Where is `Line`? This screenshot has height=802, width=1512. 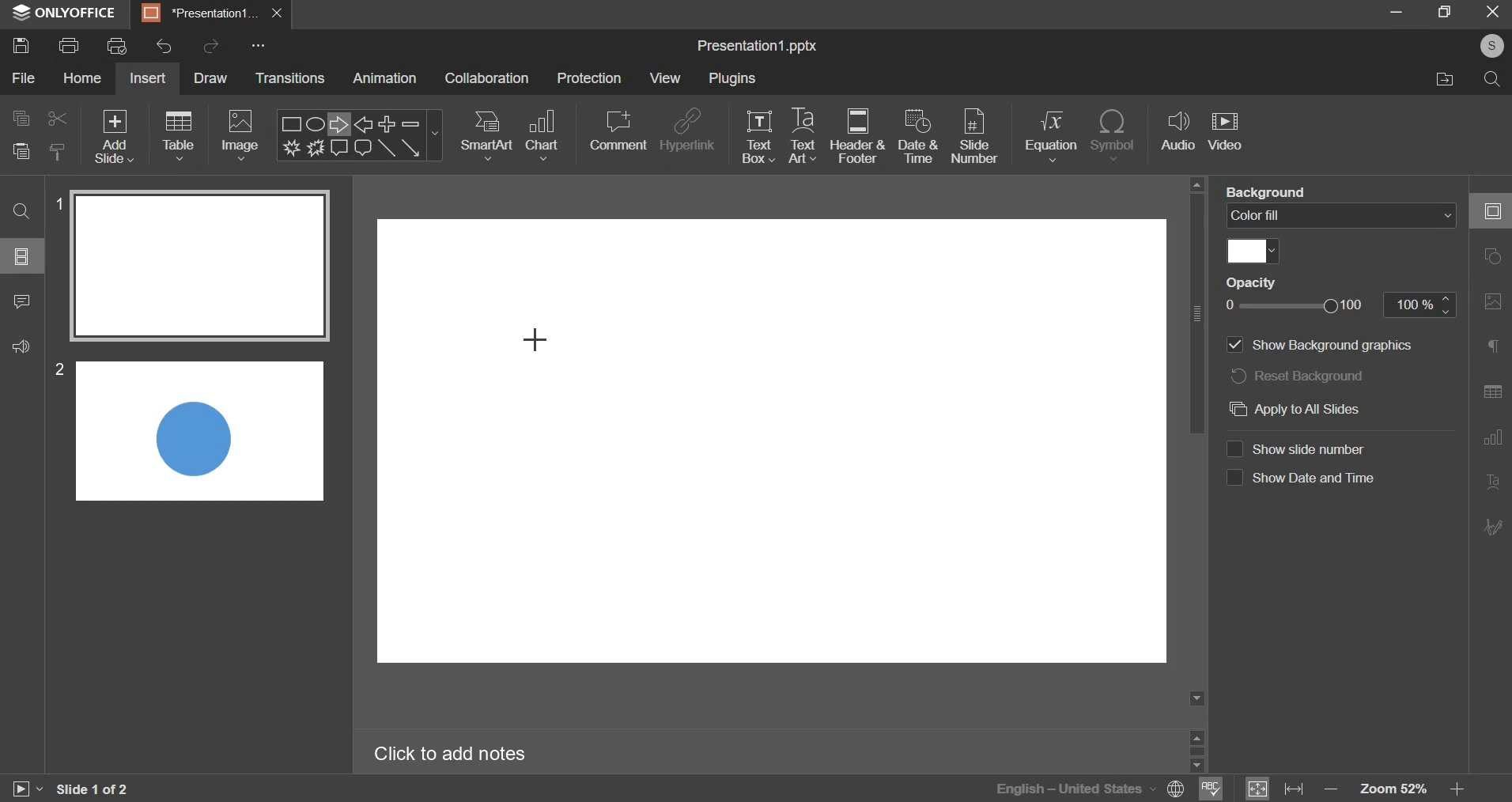 Line is located at coordinates (386, 148).